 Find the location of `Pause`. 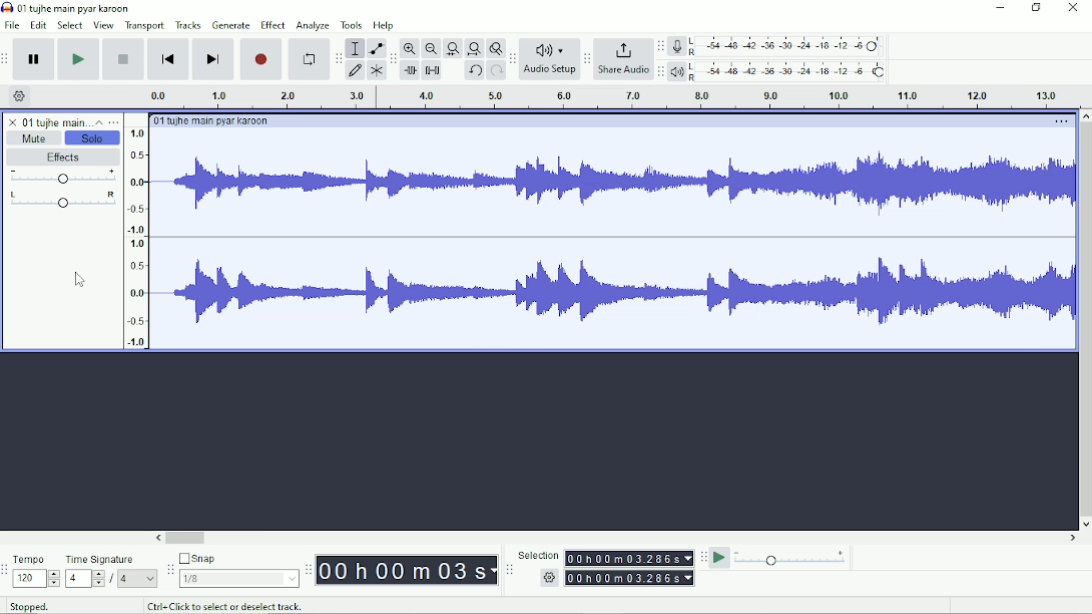

Pause is located at coordinates (35, 59).